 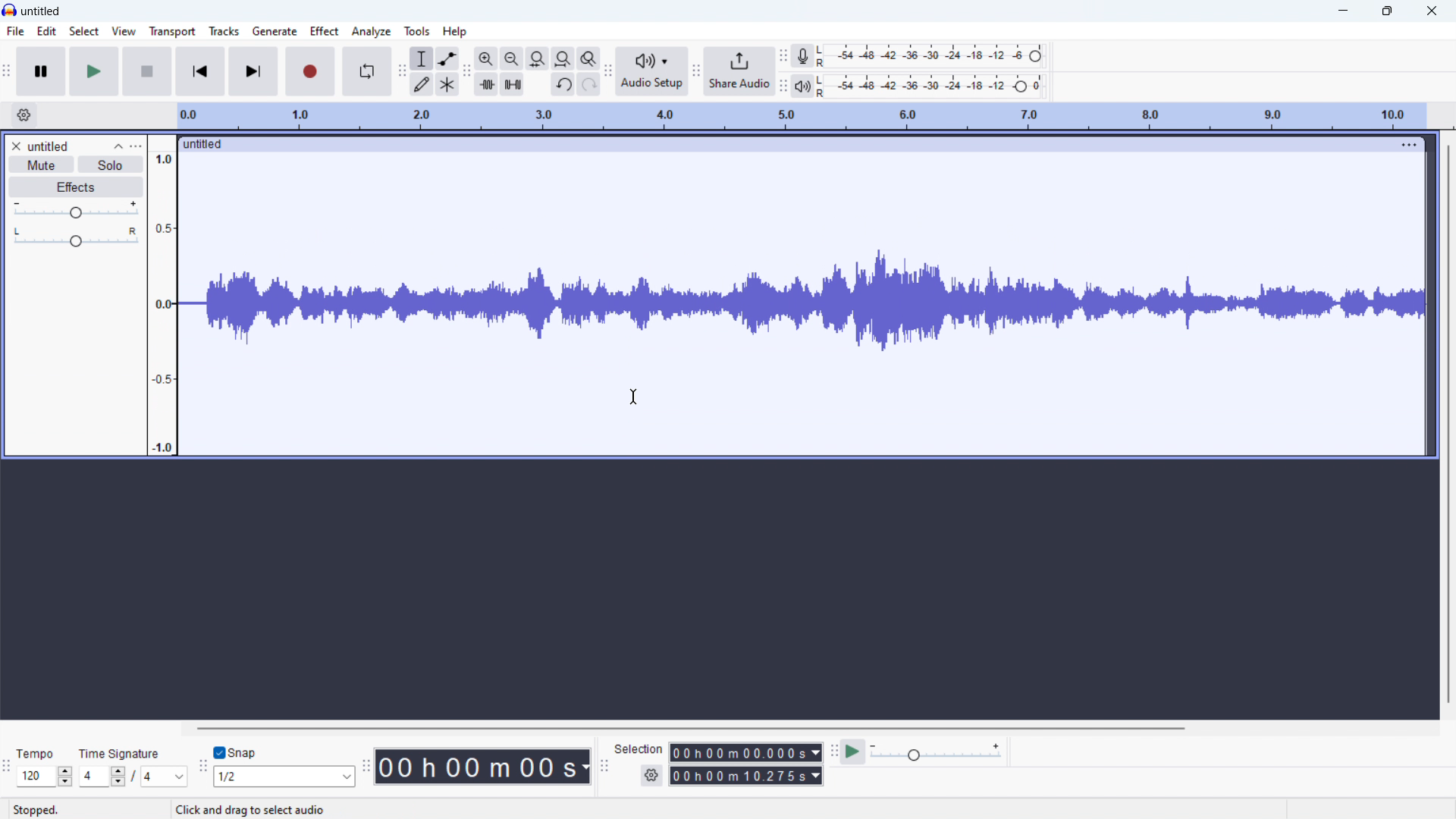 What do you see at coordinates (49, 146) in the screenshot?
I see `track title` at bounding box center [49, 146].